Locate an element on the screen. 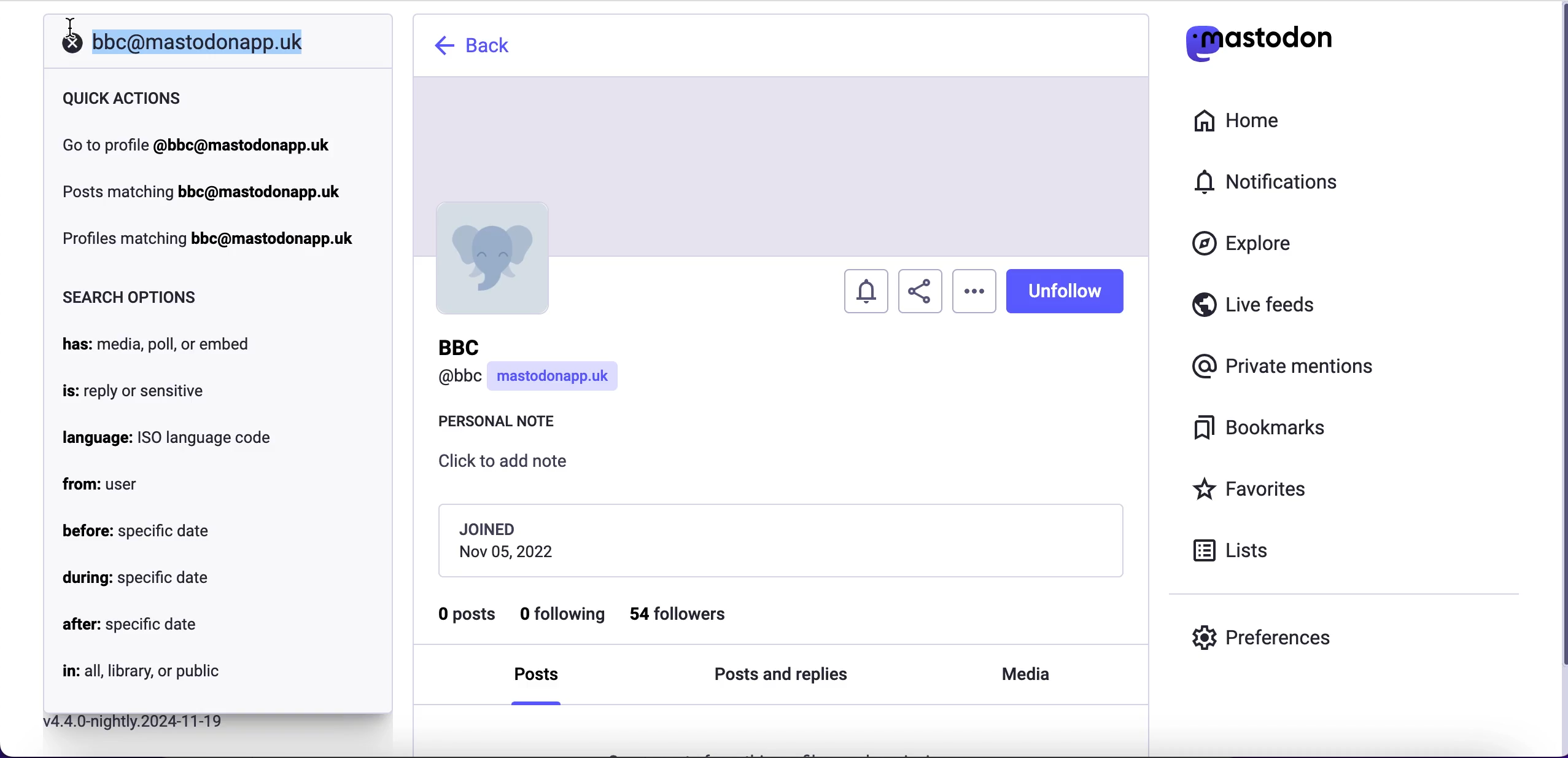 Image resolution: width=1568 pixels, height=758 pixels. lists is located at coordinates (1238, 549).